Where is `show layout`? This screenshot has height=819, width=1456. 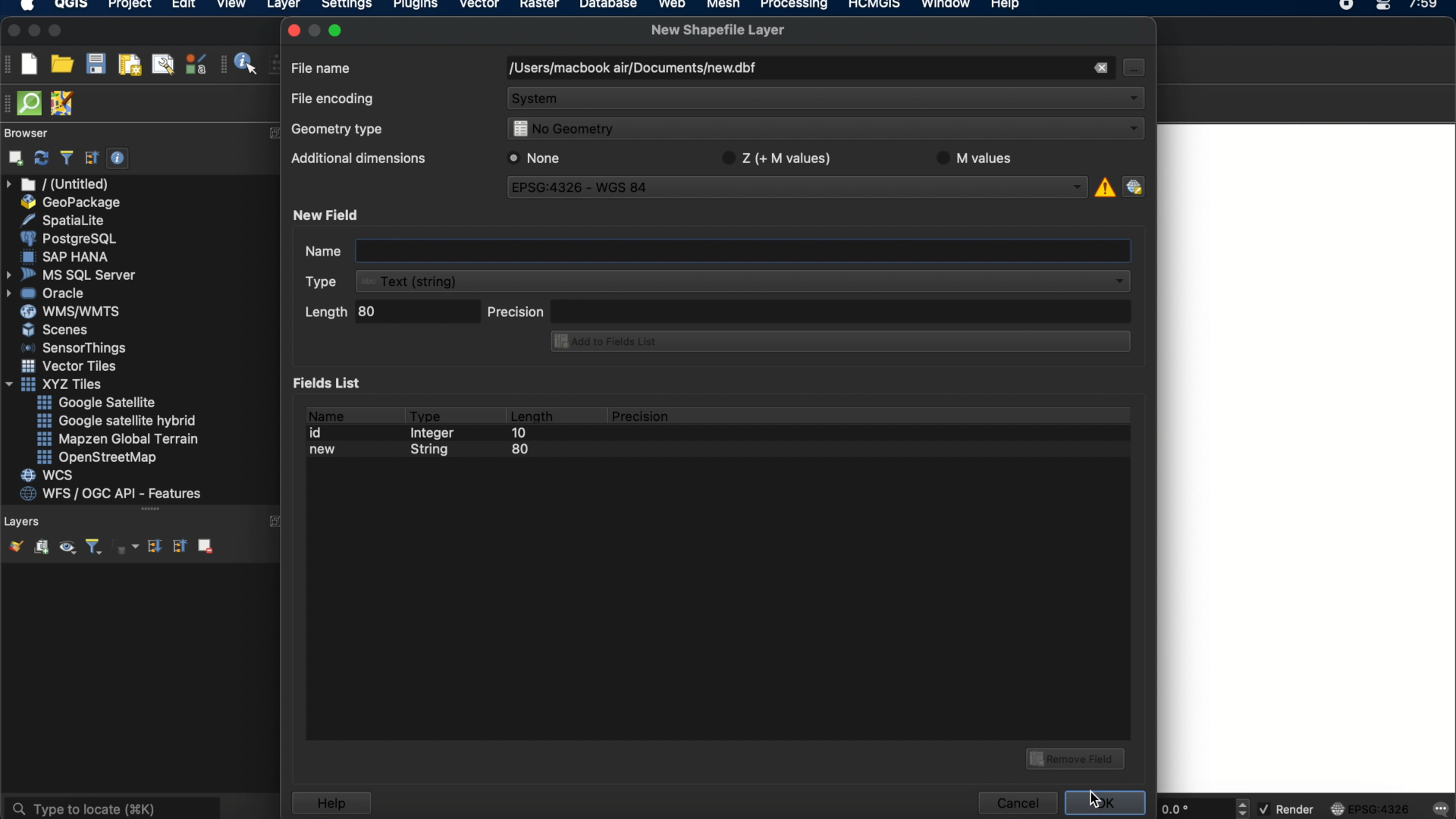 show layout is located at coordinates (163, 64).